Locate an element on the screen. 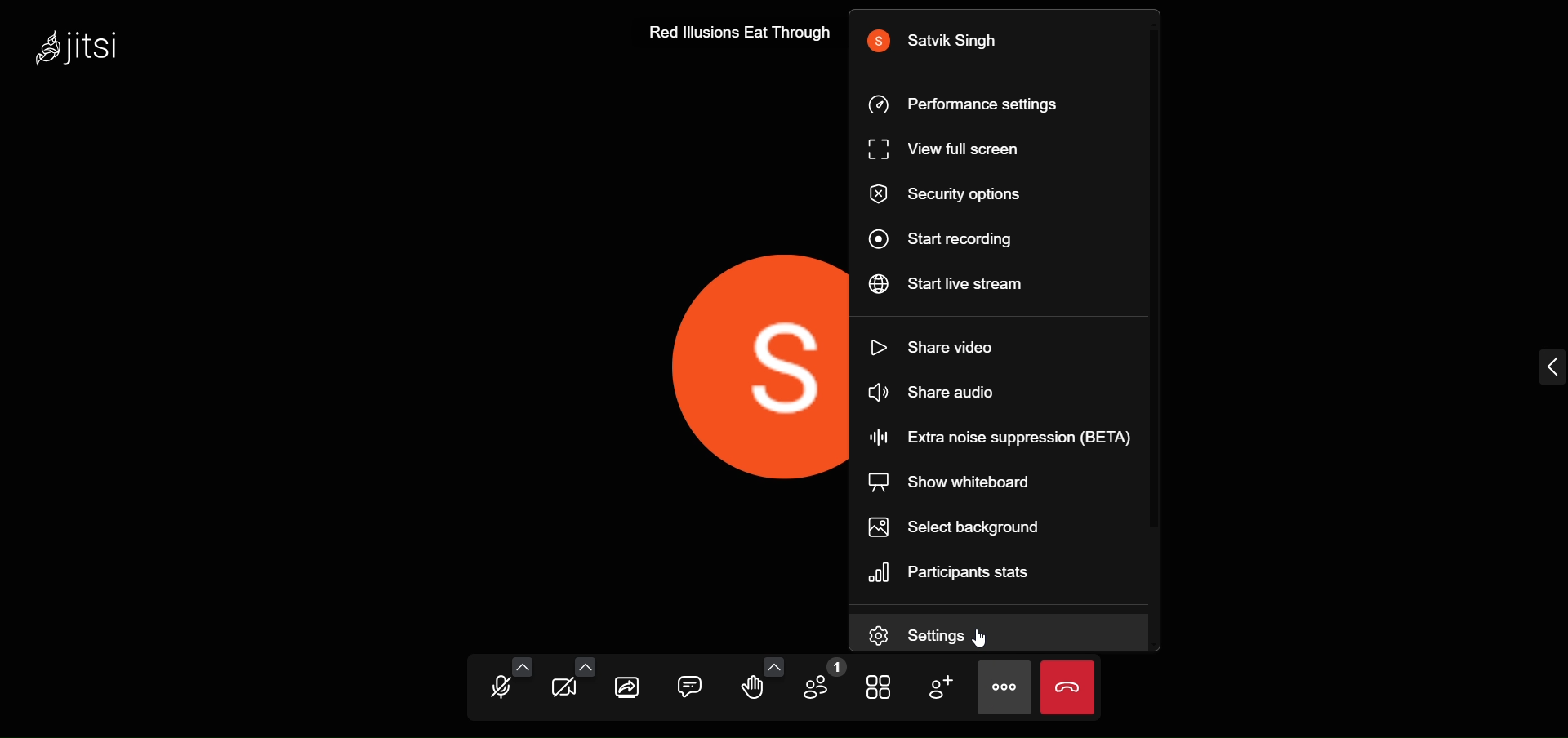 The image size is (1568, 738). start live stream is located at coordinates (946, 287).